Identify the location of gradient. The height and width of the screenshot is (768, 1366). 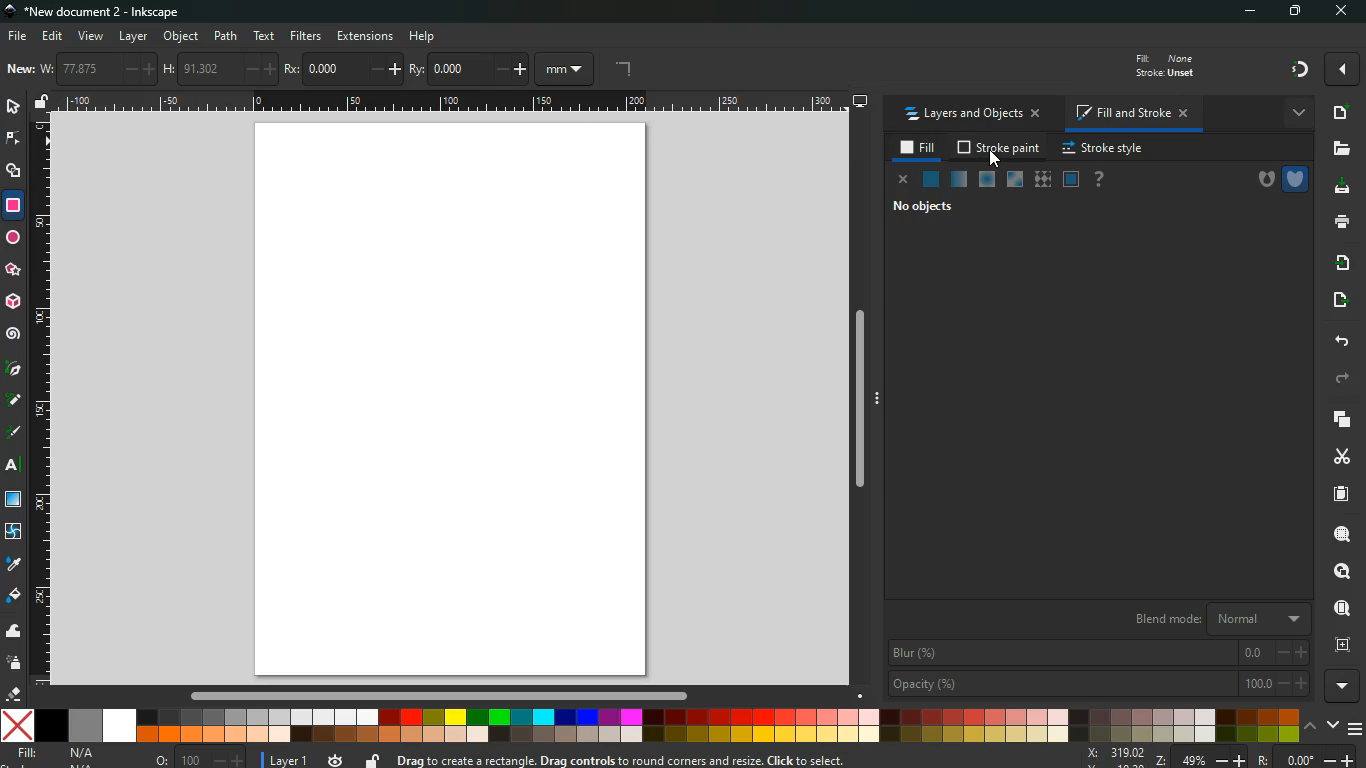
(1294, 70).